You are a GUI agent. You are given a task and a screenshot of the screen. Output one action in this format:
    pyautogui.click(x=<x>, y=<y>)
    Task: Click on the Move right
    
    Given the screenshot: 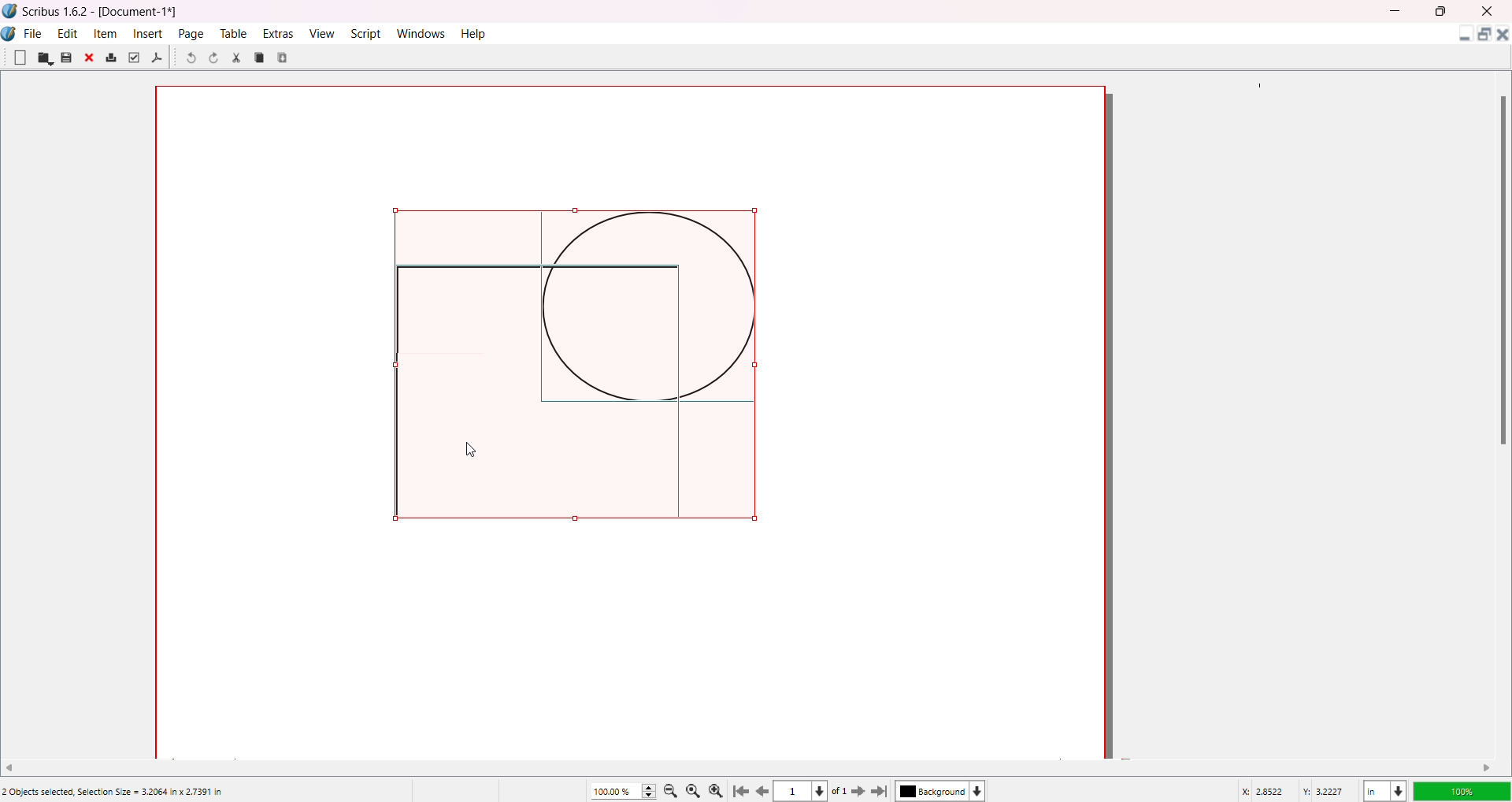 What is the action you would take?
    pyautogui.click(x=1488, y=767)
    